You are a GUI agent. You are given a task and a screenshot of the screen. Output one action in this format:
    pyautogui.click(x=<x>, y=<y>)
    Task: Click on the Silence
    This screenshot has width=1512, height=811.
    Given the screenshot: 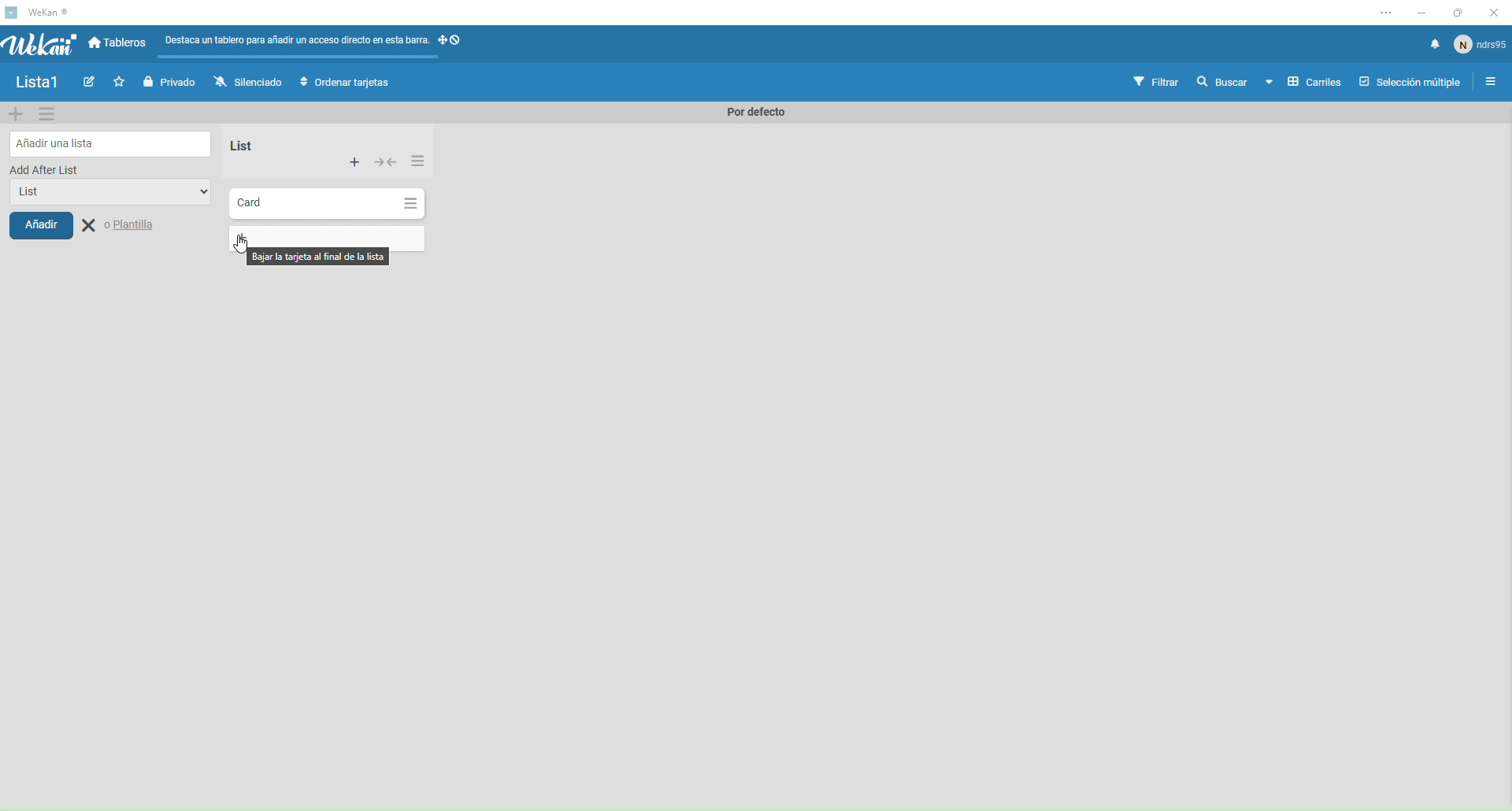 What is the action you would take?
    pyautogui.click(x=247, y=83)
    